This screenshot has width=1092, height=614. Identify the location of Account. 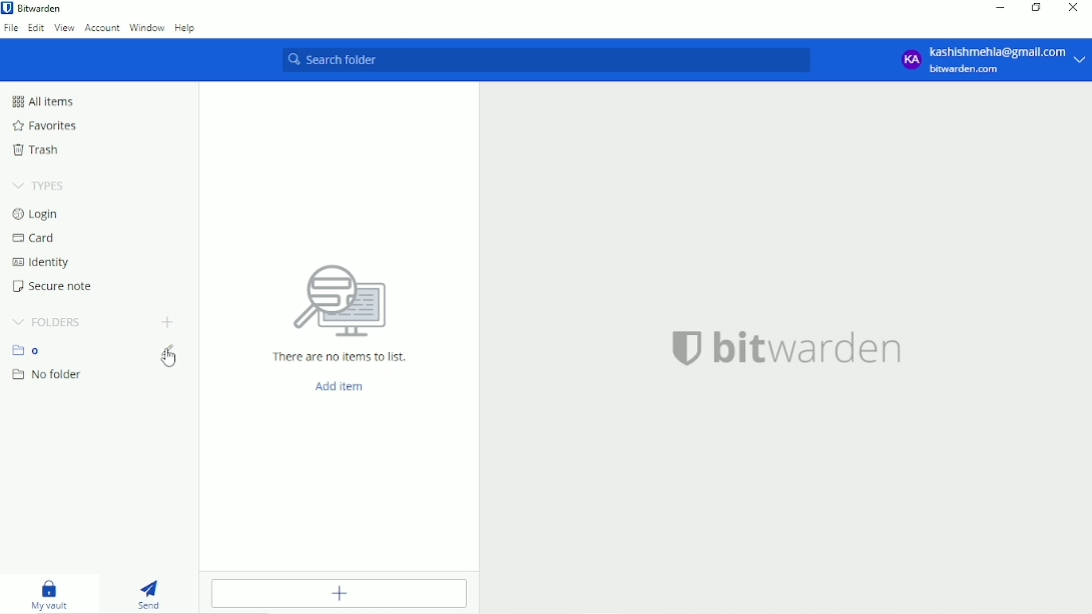
(102, 28).